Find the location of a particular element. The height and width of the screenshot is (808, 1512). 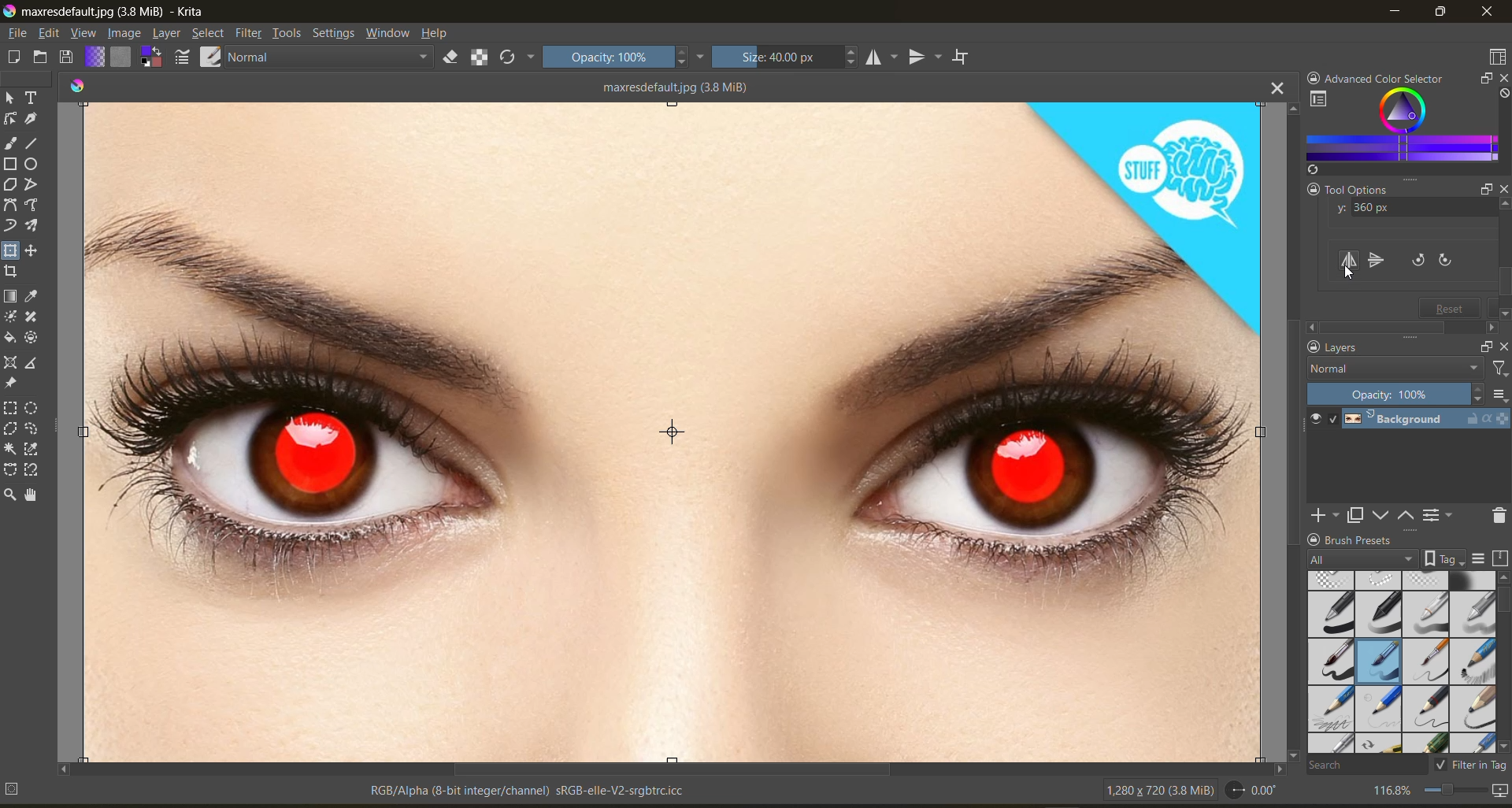

normal is located at coordinates (335, 57).